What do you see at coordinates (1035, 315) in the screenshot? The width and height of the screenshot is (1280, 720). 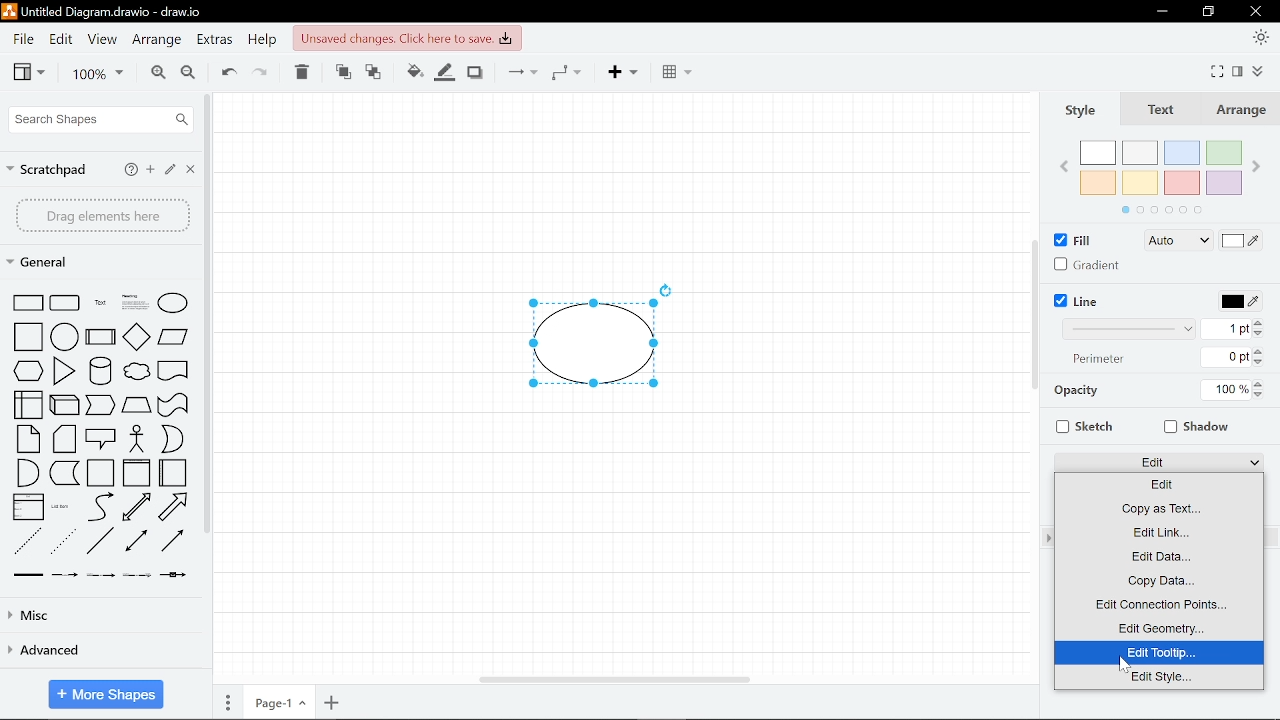 I see `vertical scrollbar` at bounding box center [1035, 315].